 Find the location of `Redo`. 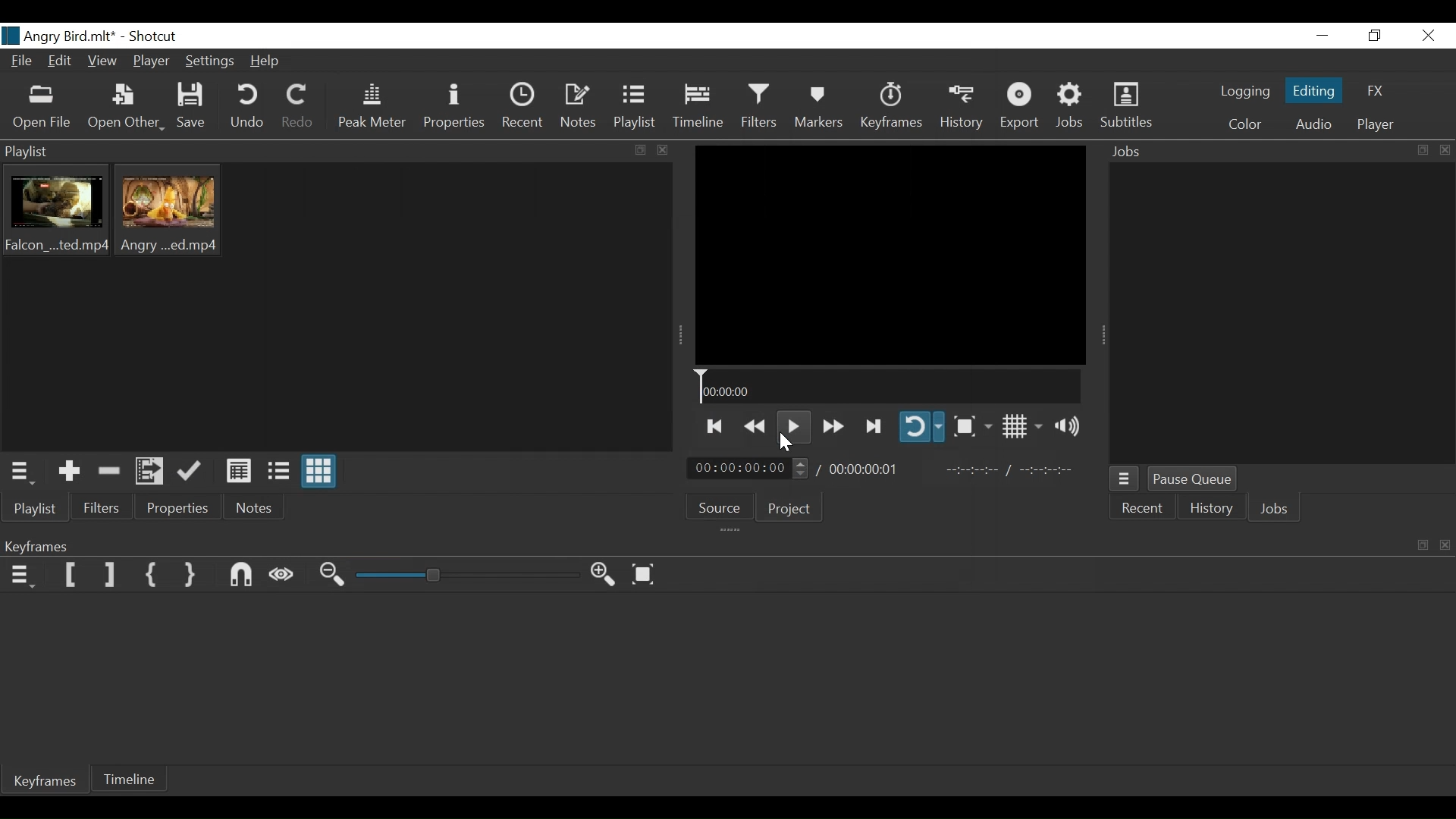

Redo is located at coordinates (301, 108).